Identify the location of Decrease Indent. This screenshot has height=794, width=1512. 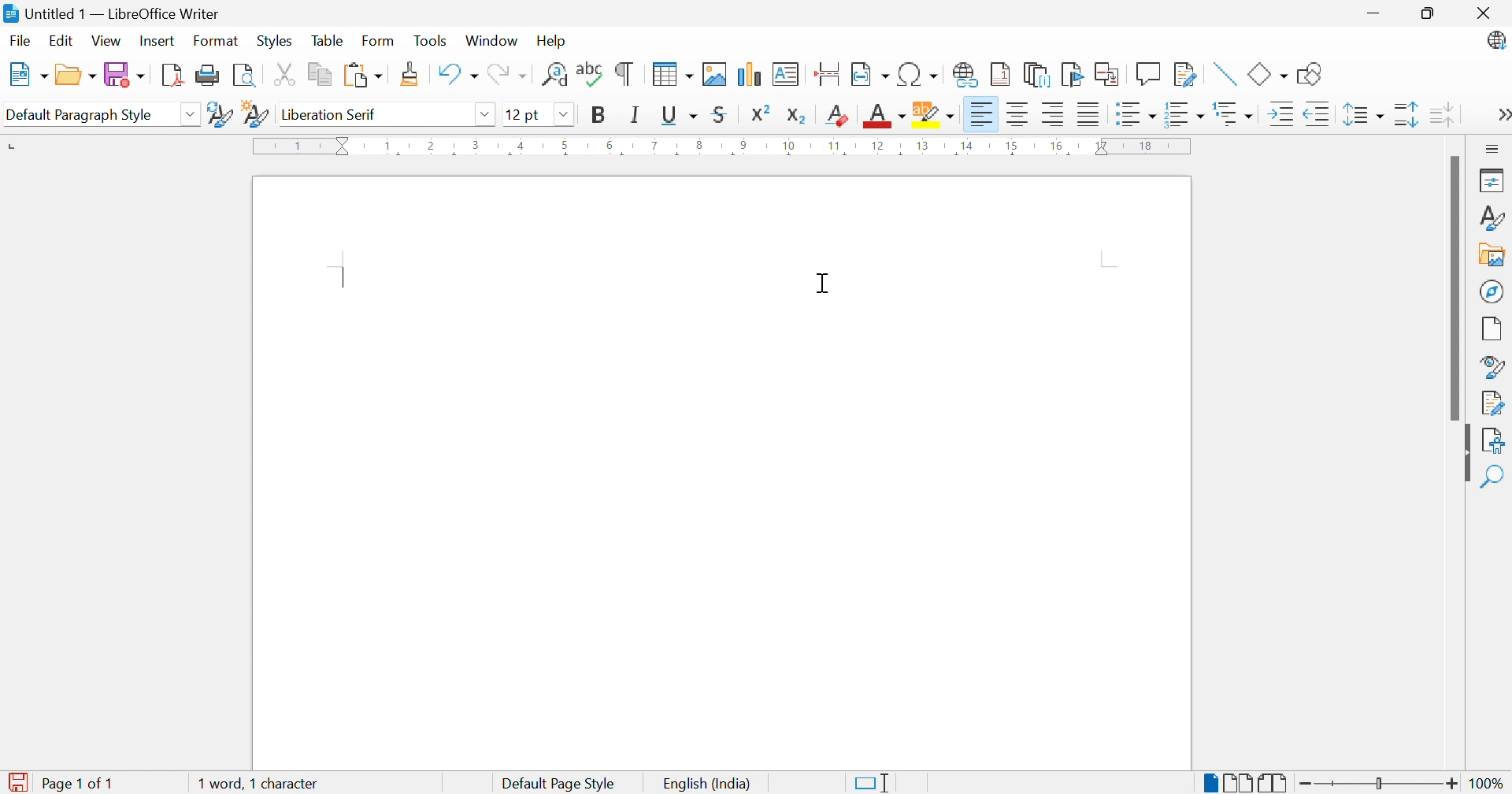
(1320, 114).